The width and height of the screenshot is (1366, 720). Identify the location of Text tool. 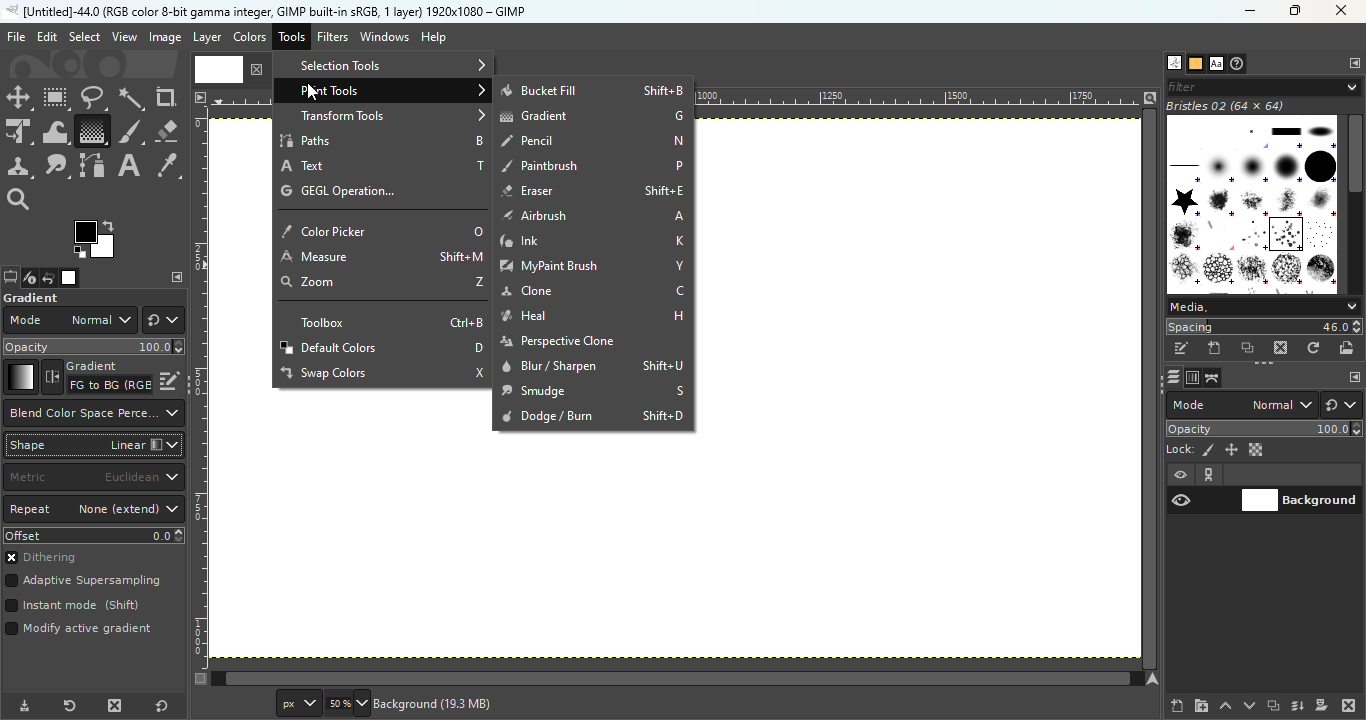
(129, 166).